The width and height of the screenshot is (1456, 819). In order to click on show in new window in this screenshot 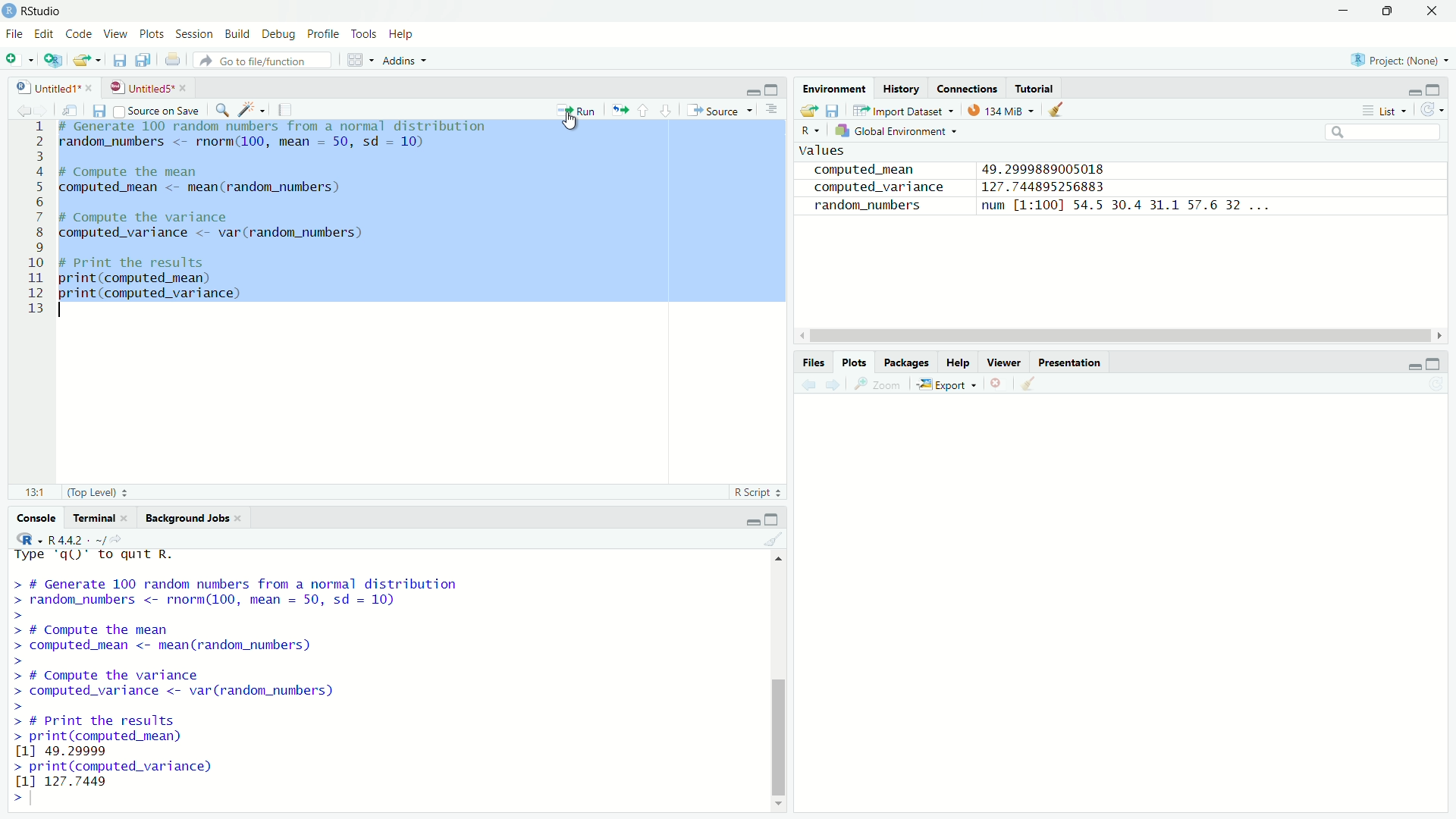, I will do `click(71, 108)`.